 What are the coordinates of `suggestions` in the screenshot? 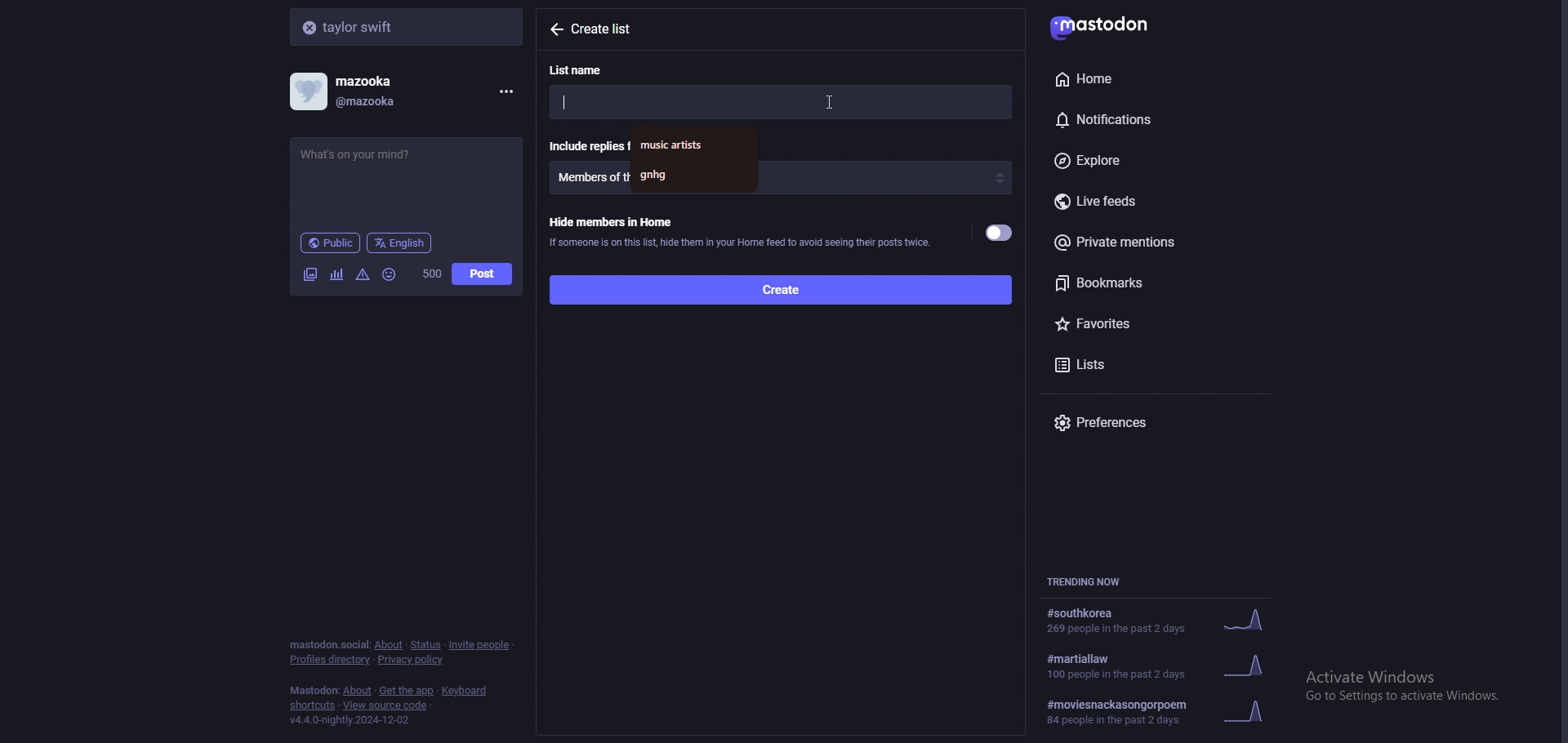 It's located at (694, 158).